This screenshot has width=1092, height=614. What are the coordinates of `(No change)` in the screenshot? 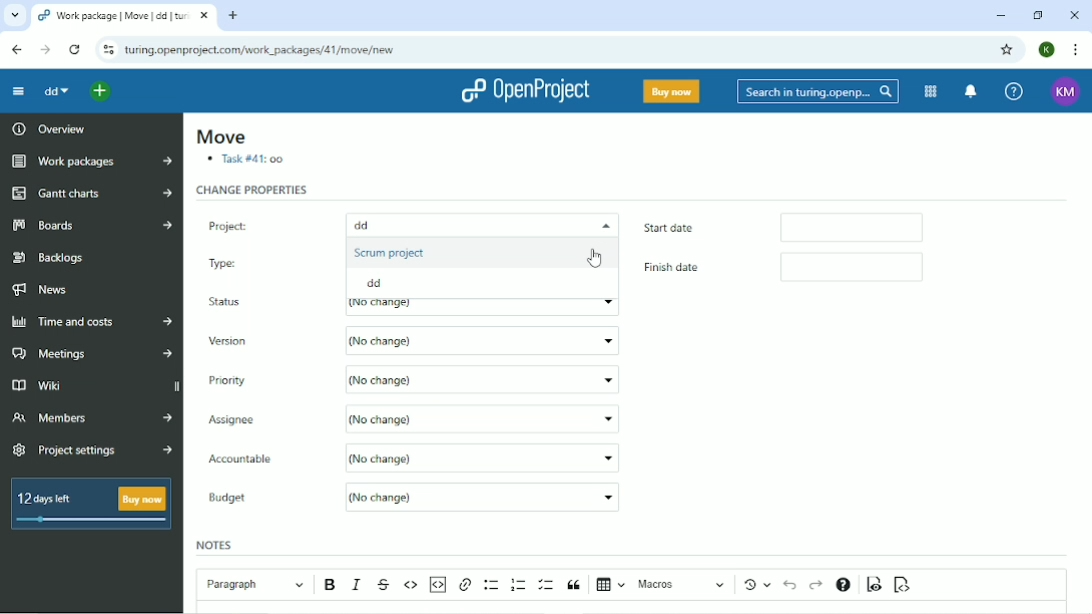 It's located at (482, 496).